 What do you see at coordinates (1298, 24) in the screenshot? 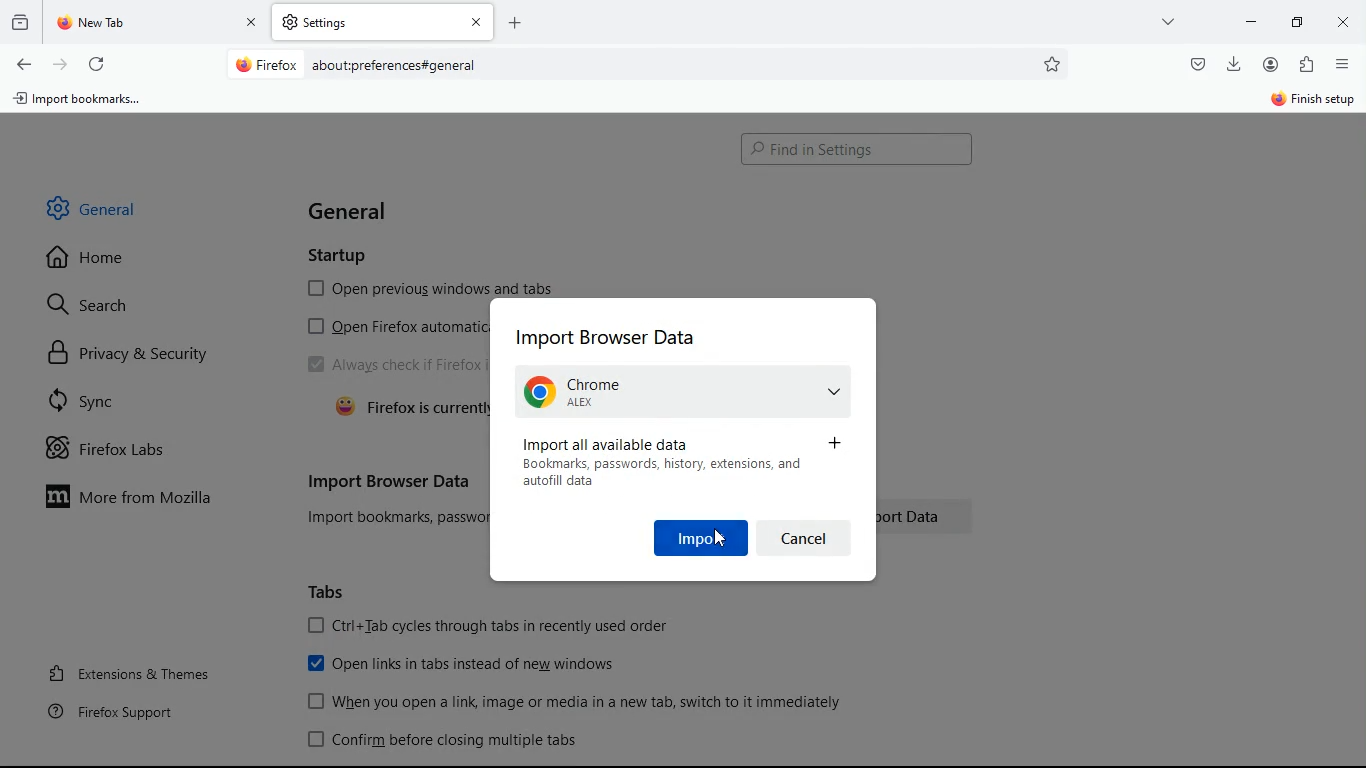
I see `maximize` at bounding box center [1298, 24].